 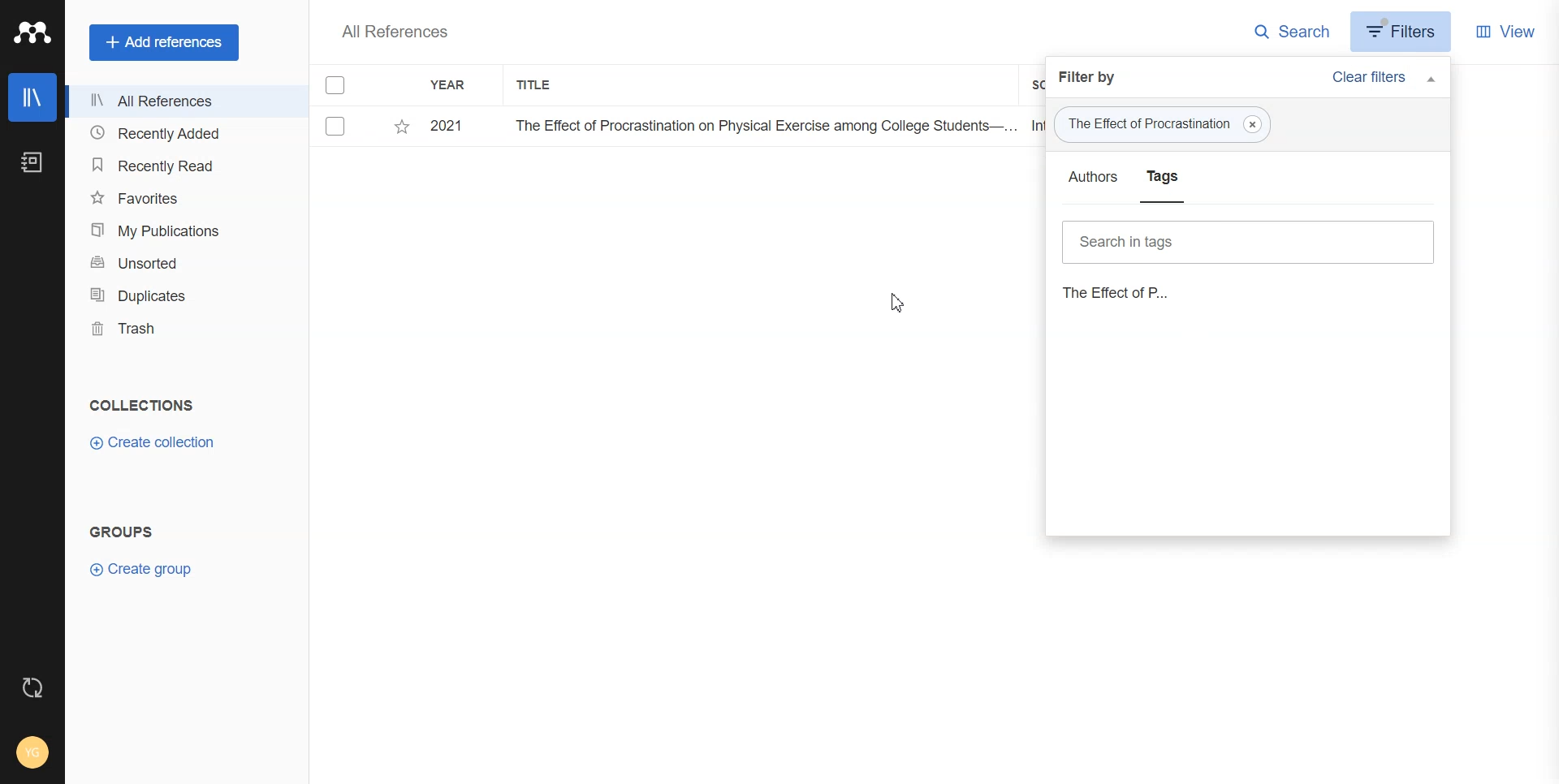 What do you see at coordinates (1508, 30) in the screenshot?
I see `View` at bounding box center [1508, 30].